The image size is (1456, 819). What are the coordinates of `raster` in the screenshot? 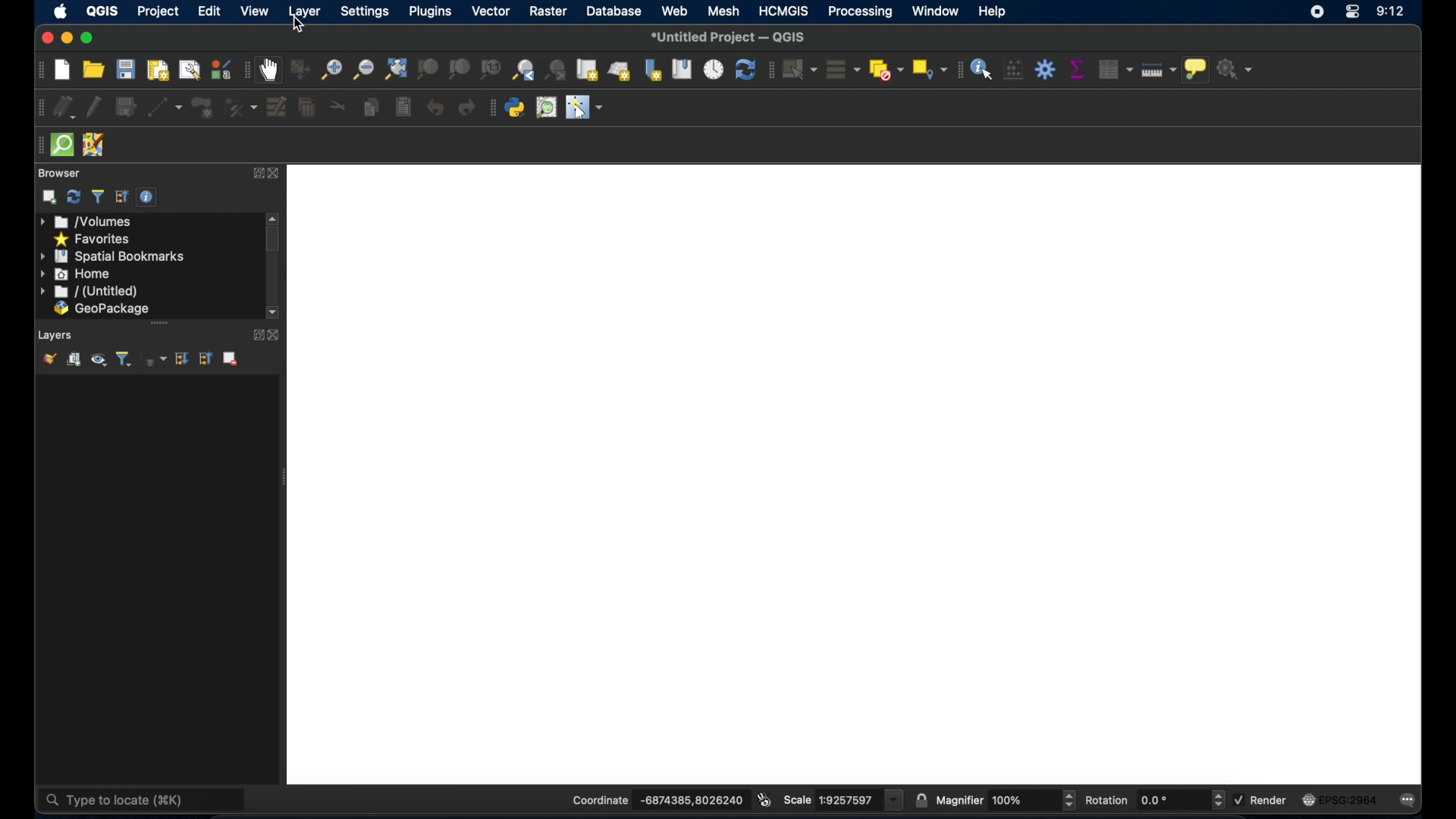 It's located at (545, 12).